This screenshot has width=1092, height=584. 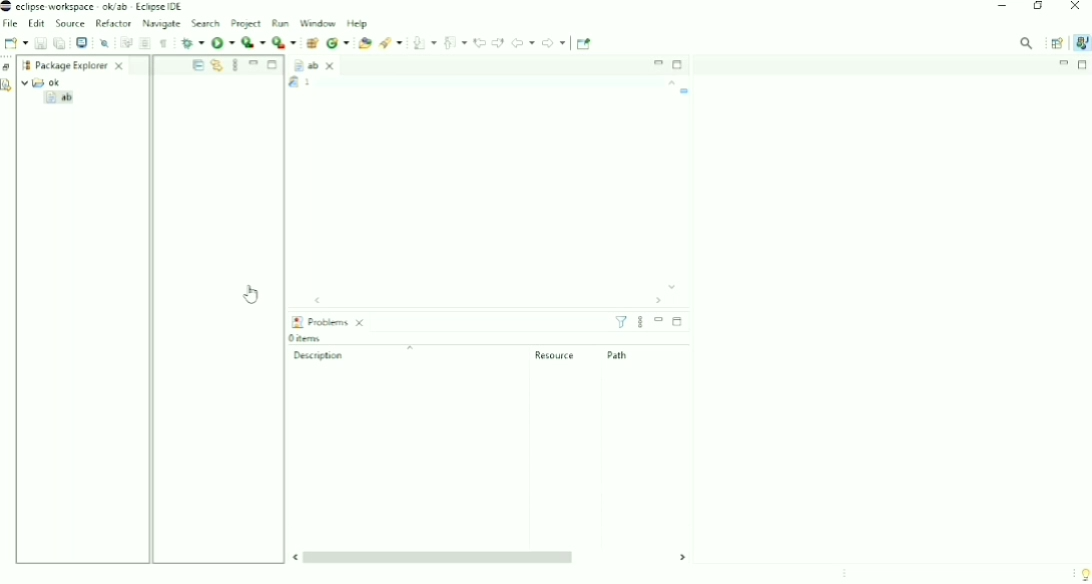 I want to click on Coverage, so click(x=254, y=42).